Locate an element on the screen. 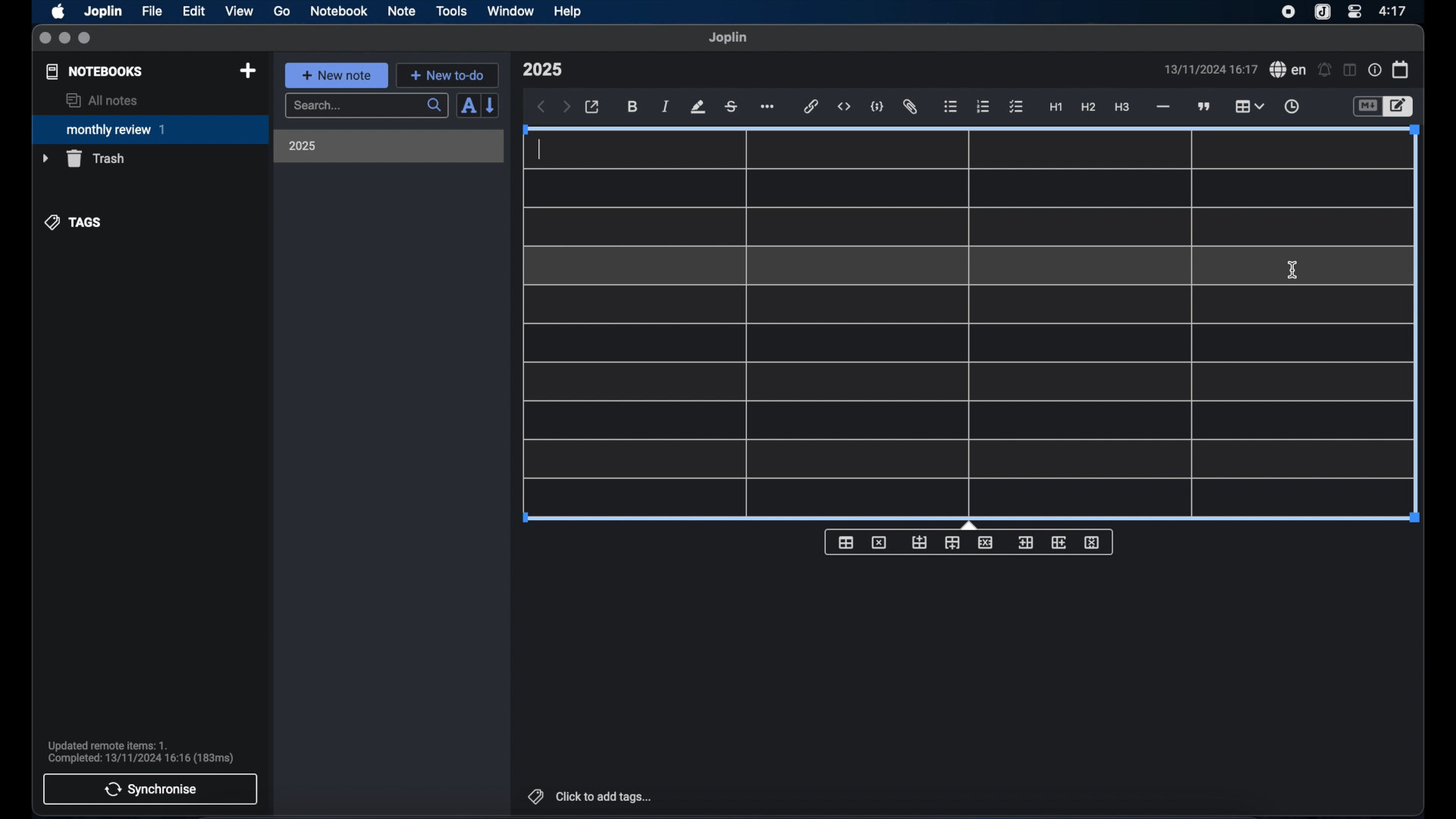  insert table is located at coordinates (846, 542).